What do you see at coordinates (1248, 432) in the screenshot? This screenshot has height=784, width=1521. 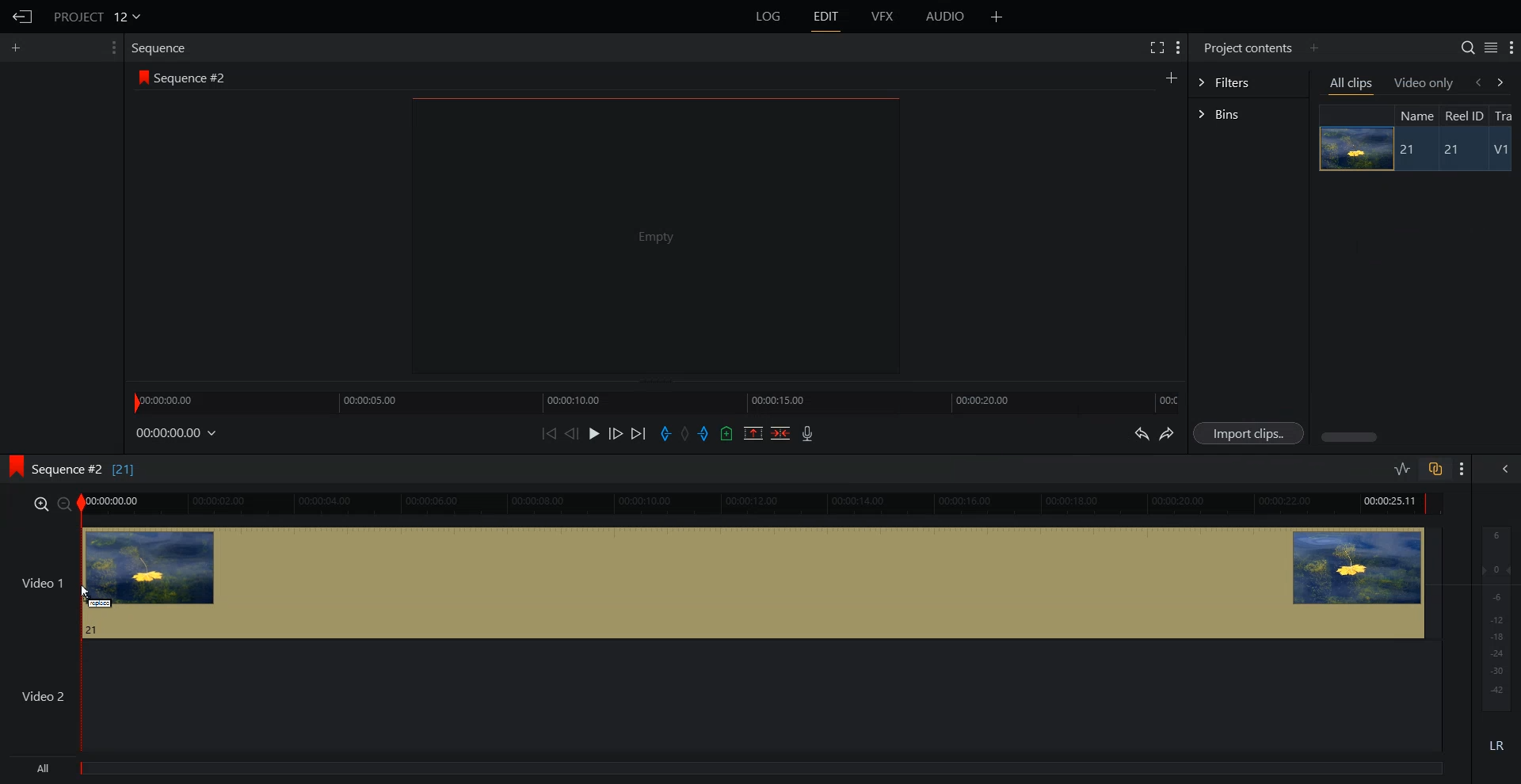 I see `Import clips` at bounding box center [1248, 432].